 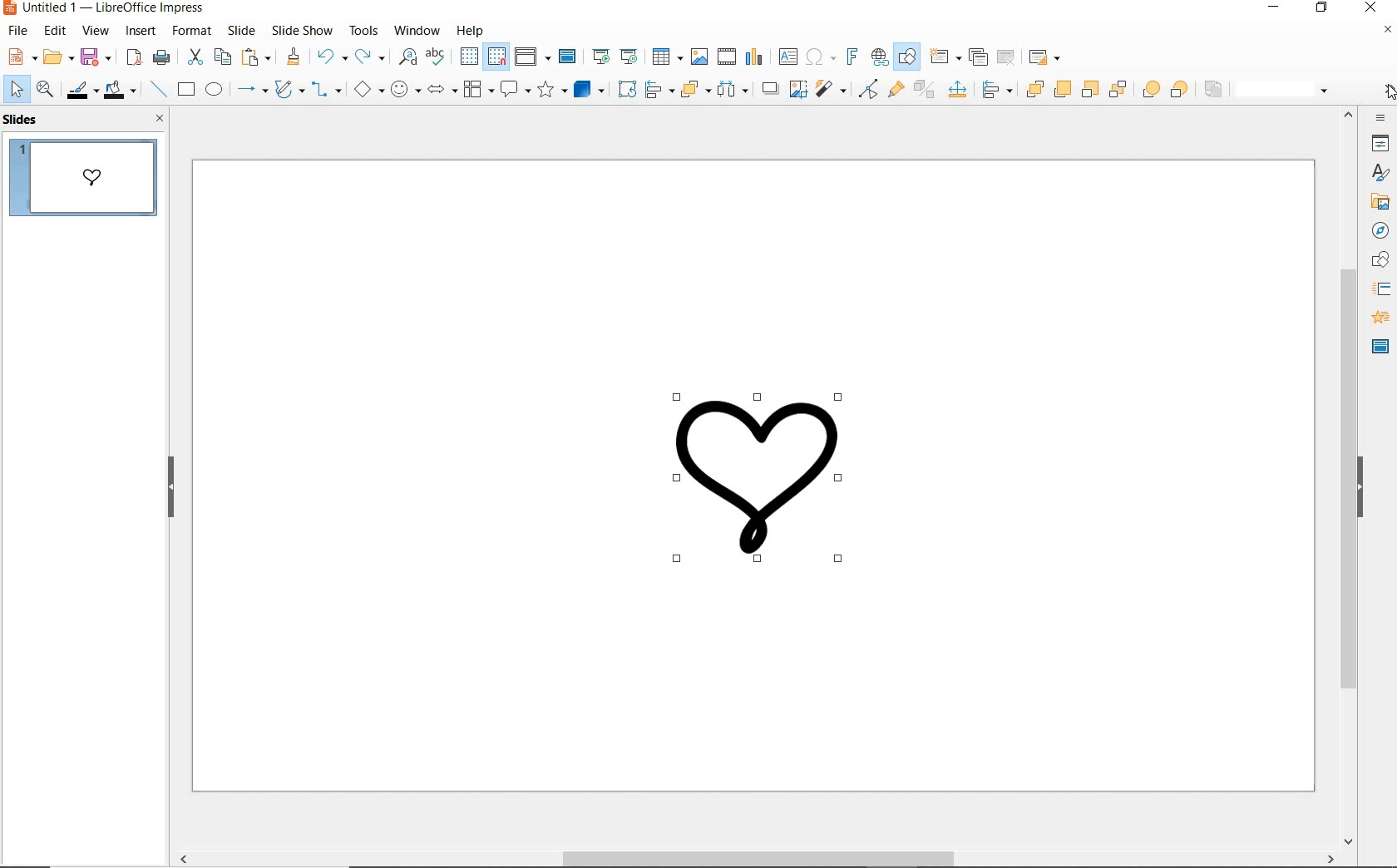 What do you see at coordinates (1346, 479) in the screenshot?
I see `SCROLLBAR` at bounding box center [1346, 479].